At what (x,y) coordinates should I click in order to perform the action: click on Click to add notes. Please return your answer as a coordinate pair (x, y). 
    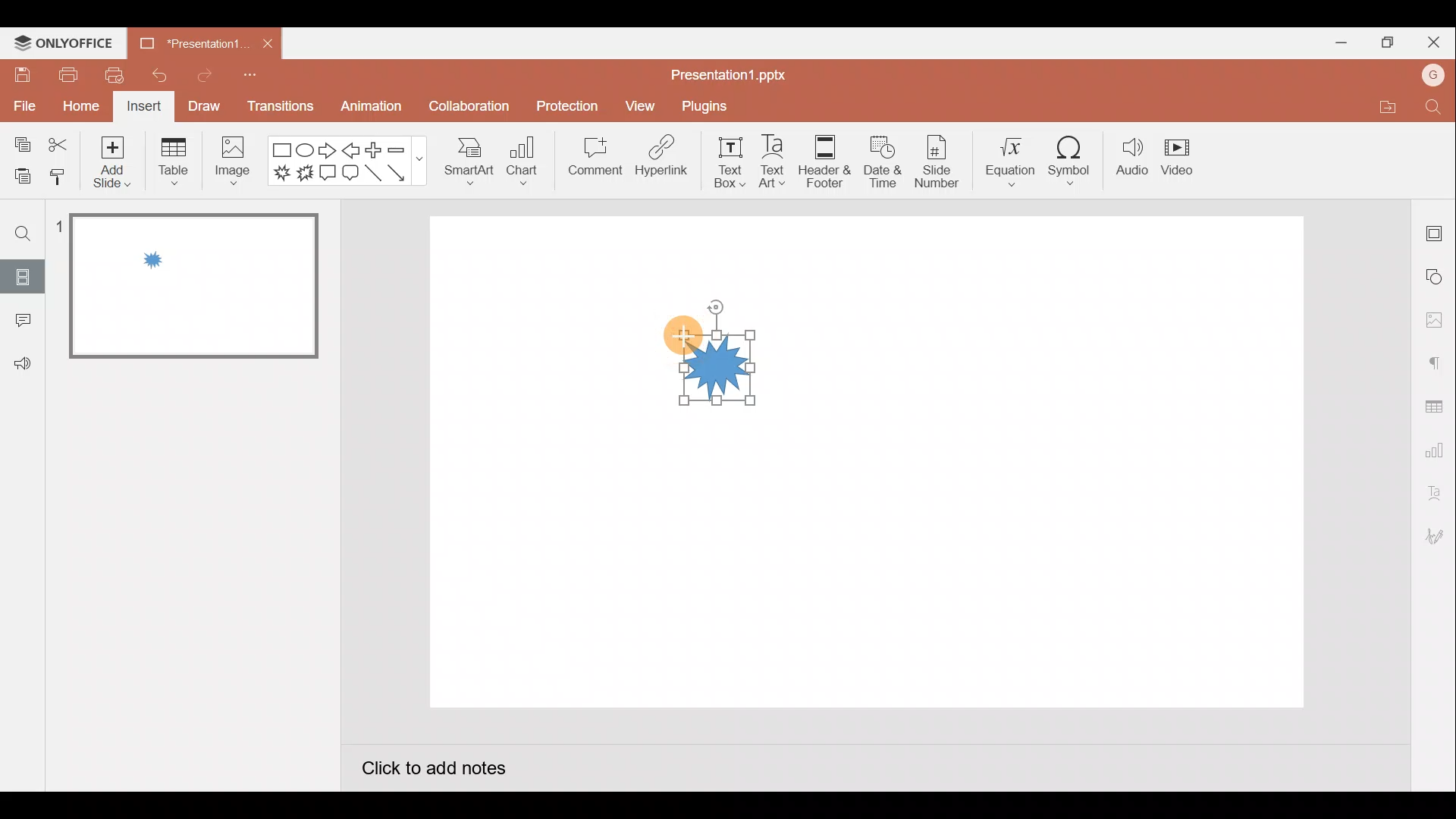
    Looking at the image, I should click on (434, 765).